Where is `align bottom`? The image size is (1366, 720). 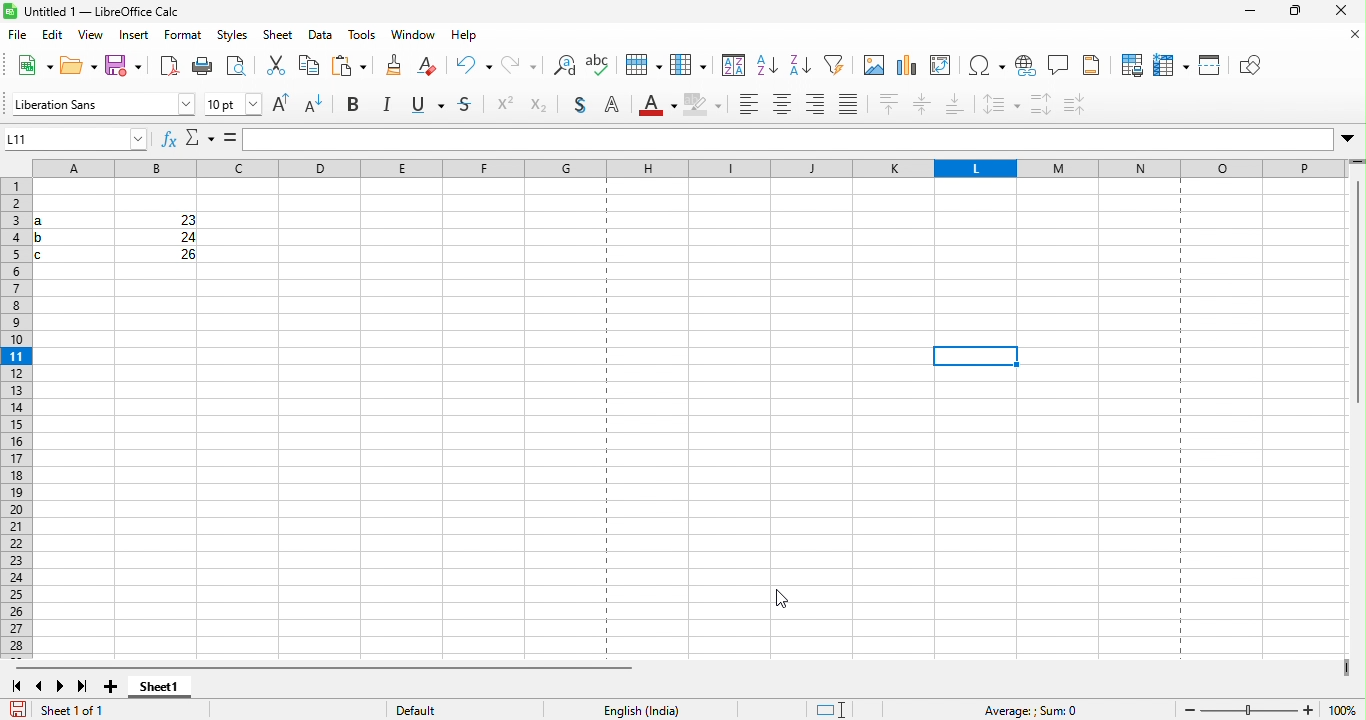 align bottom is located at coordinates (959, 105).